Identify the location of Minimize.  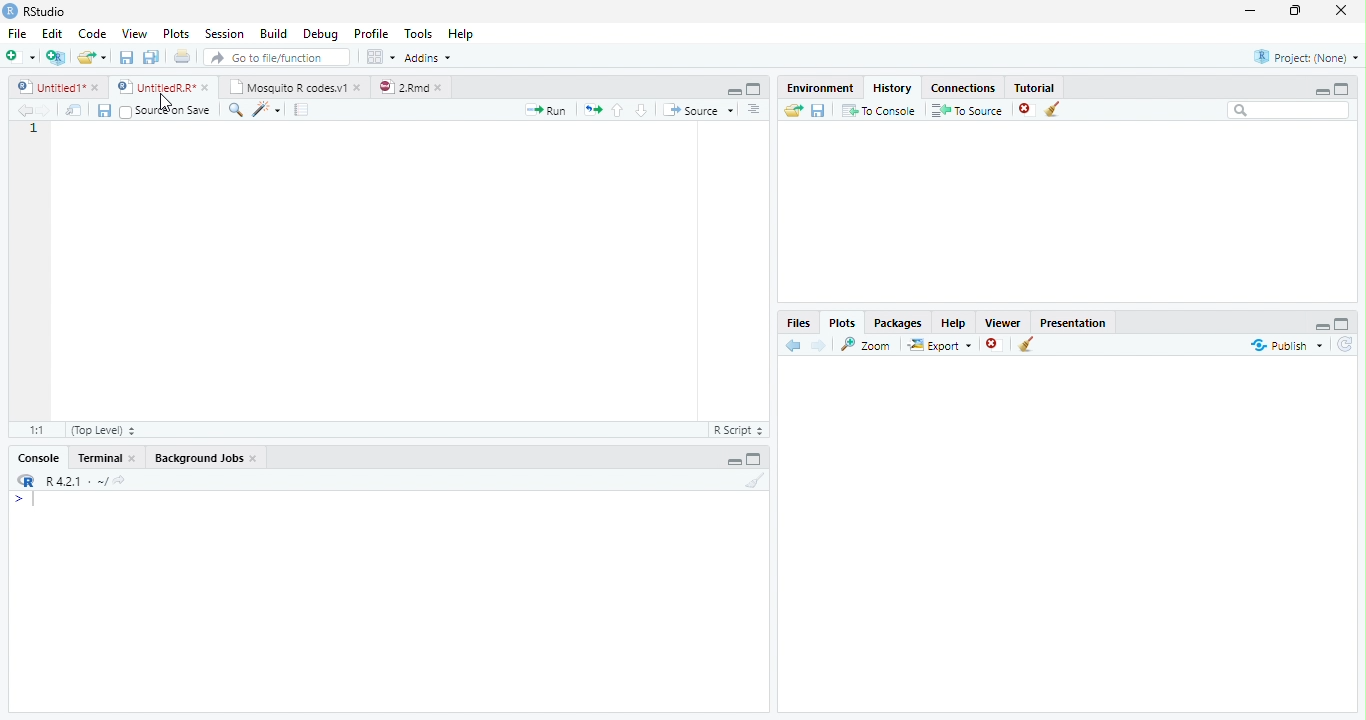
(1251, 11).